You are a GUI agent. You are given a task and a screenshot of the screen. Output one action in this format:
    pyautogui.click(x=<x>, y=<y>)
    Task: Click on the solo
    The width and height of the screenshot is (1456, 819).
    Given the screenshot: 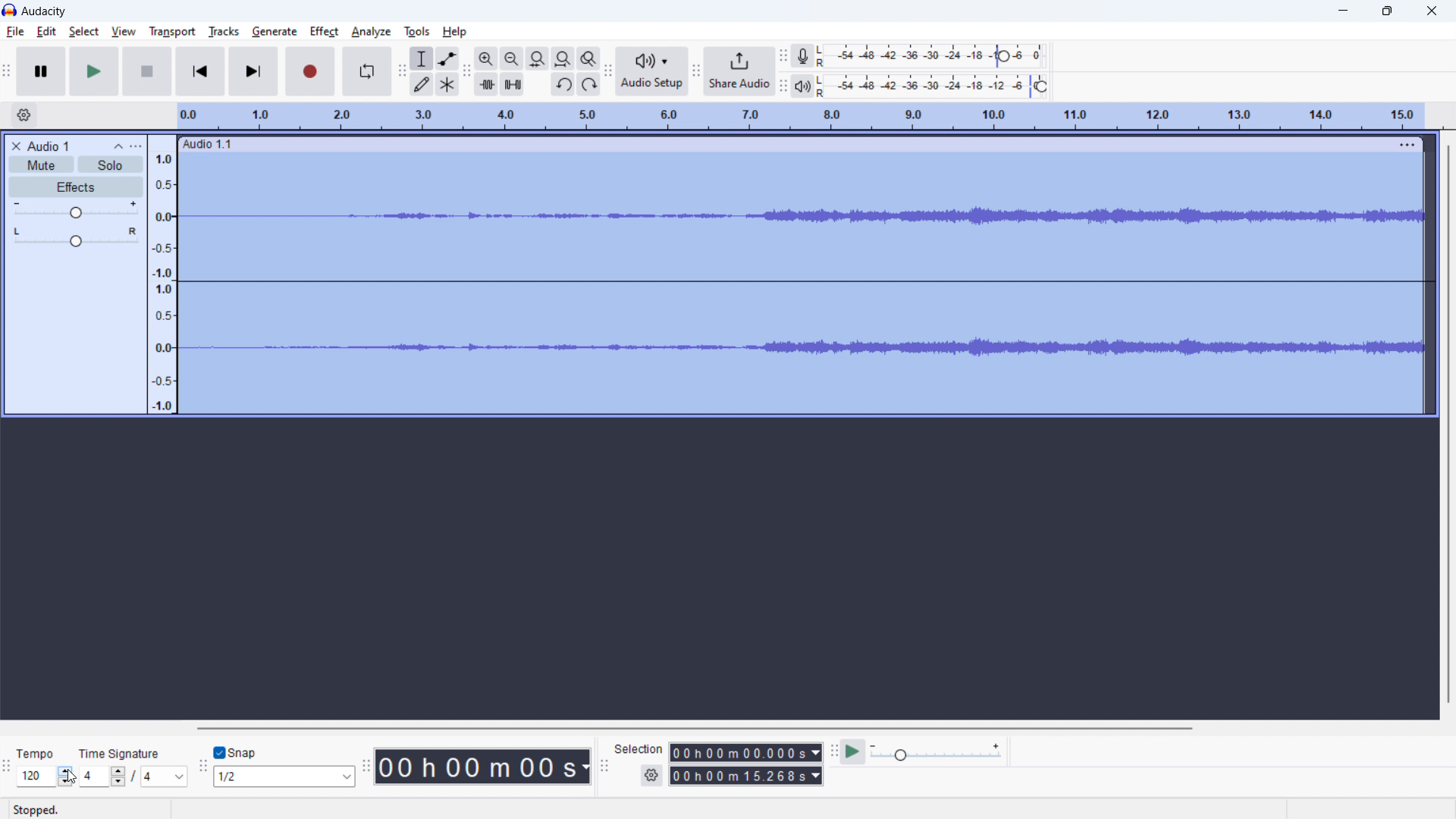 What is the action you would take?
    pyautogui.click(x=110, y=165)
    